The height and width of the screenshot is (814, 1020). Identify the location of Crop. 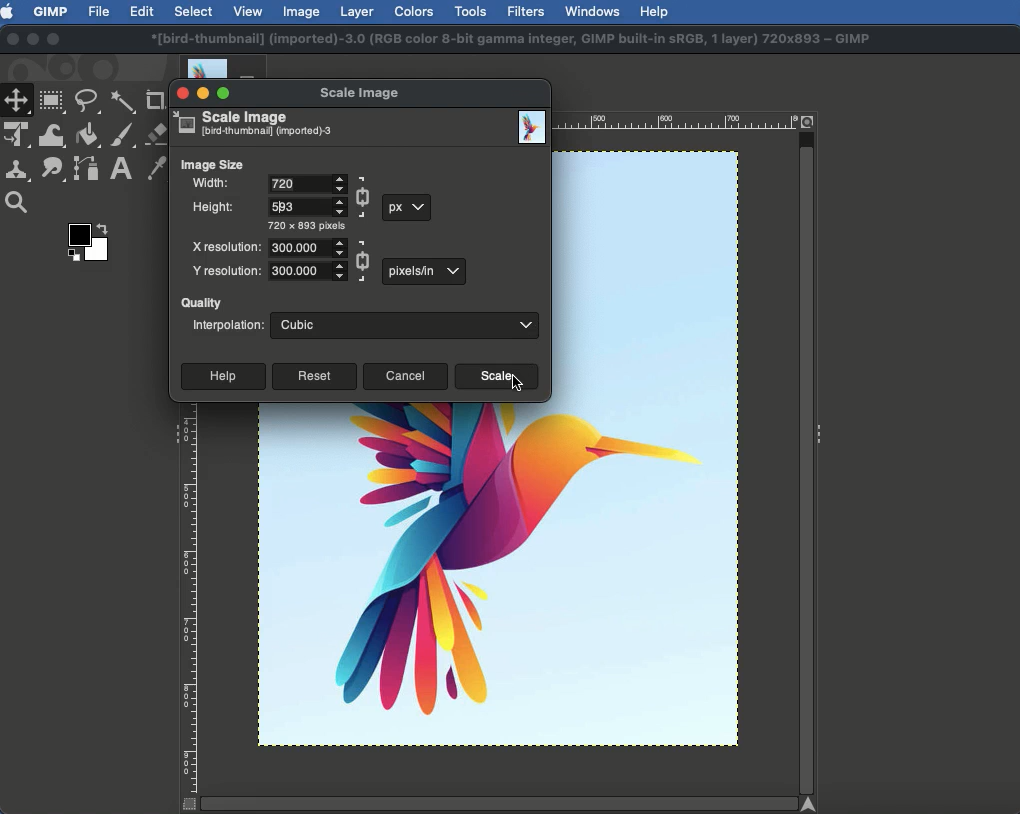
(154, 100).